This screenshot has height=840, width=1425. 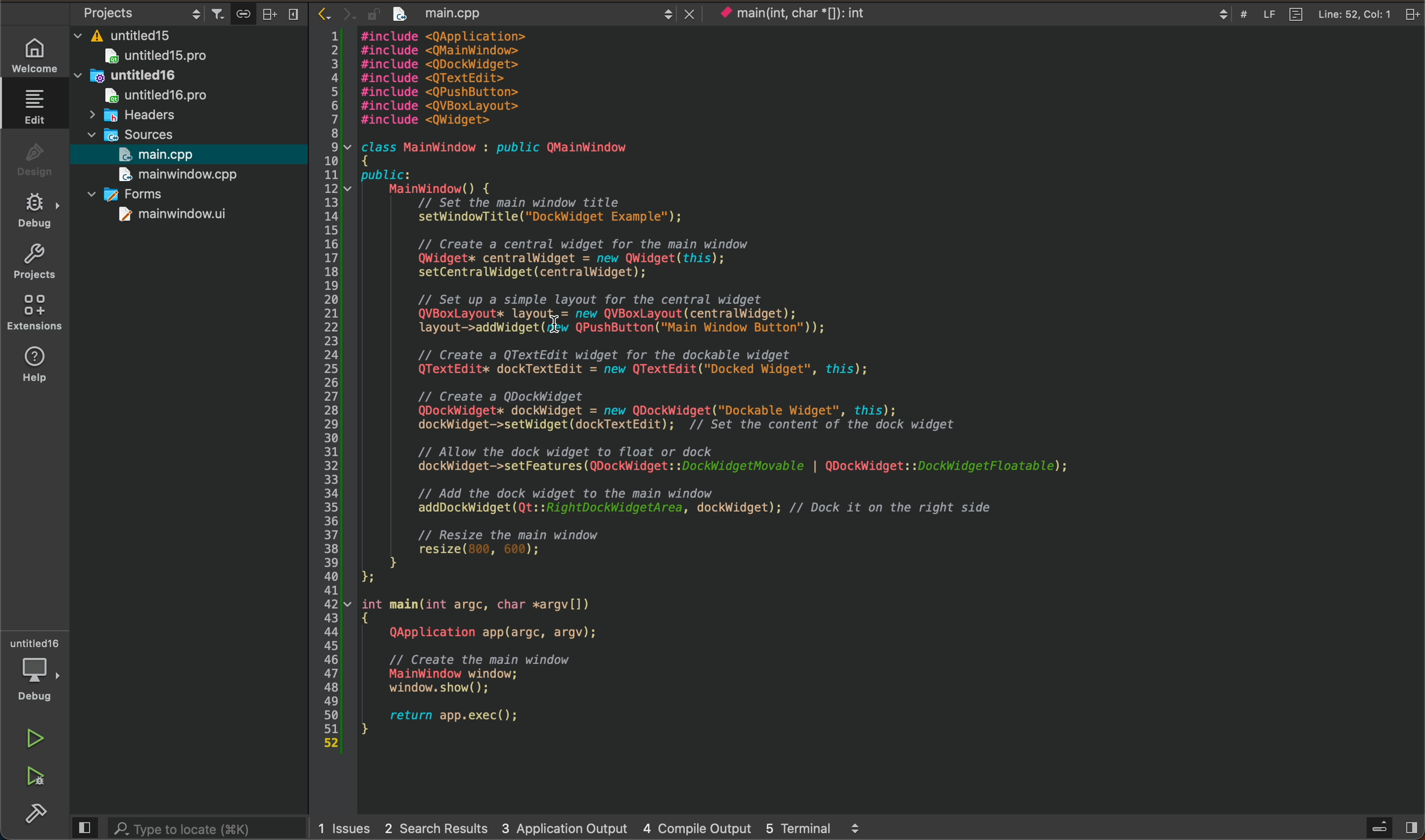 What do you see at coordinates (243, 12) in the screenshot?
I see `save` at bounding box center [243, 12].